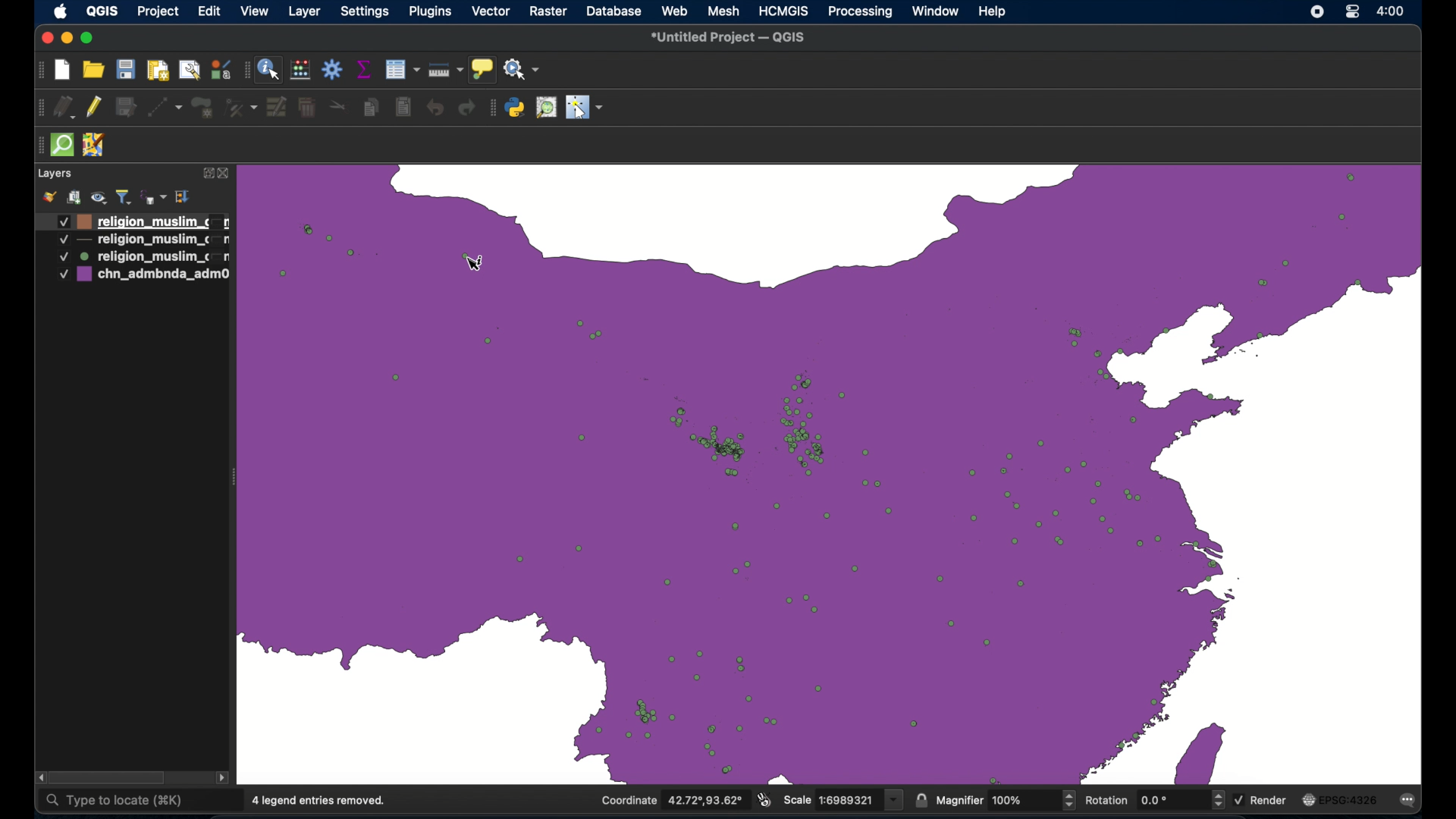  I want to click on screen recorder icon, so click(1315, 13).